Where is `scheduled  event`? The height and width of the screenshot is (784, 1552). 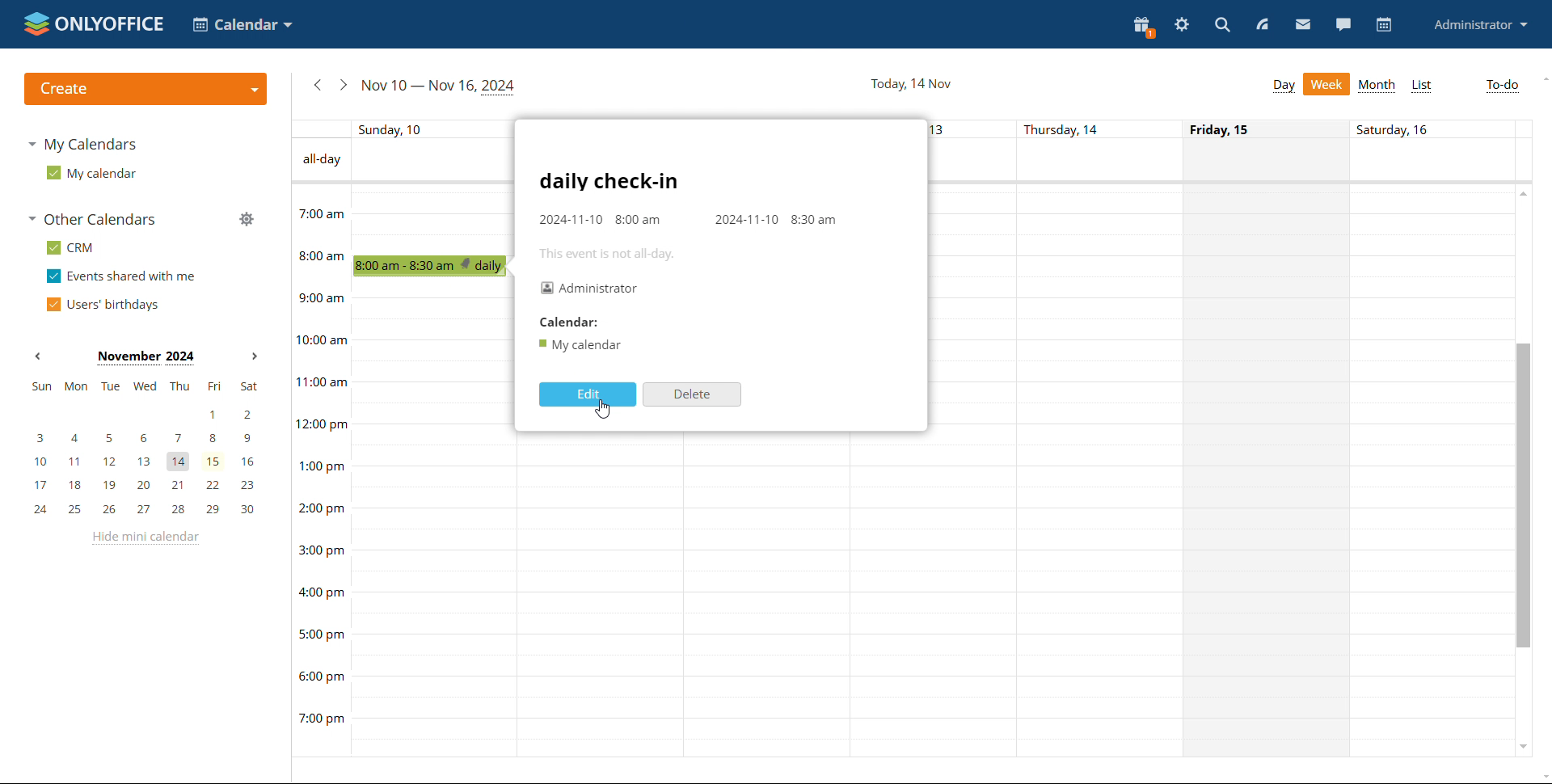
scheduled  event is located at coordinates (434, 266).